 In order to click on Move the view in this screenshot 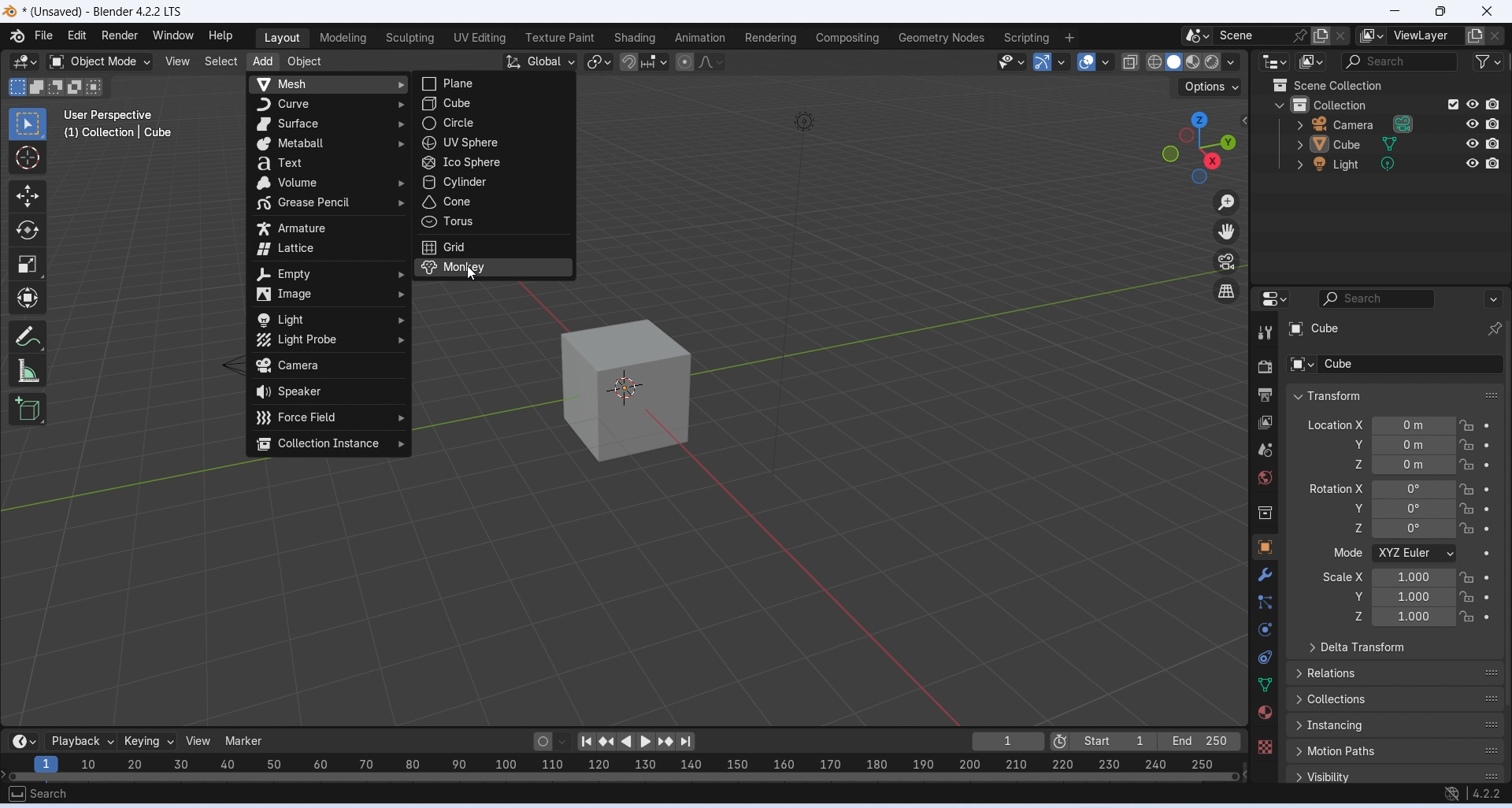, I will do `click(1226, 232)`.